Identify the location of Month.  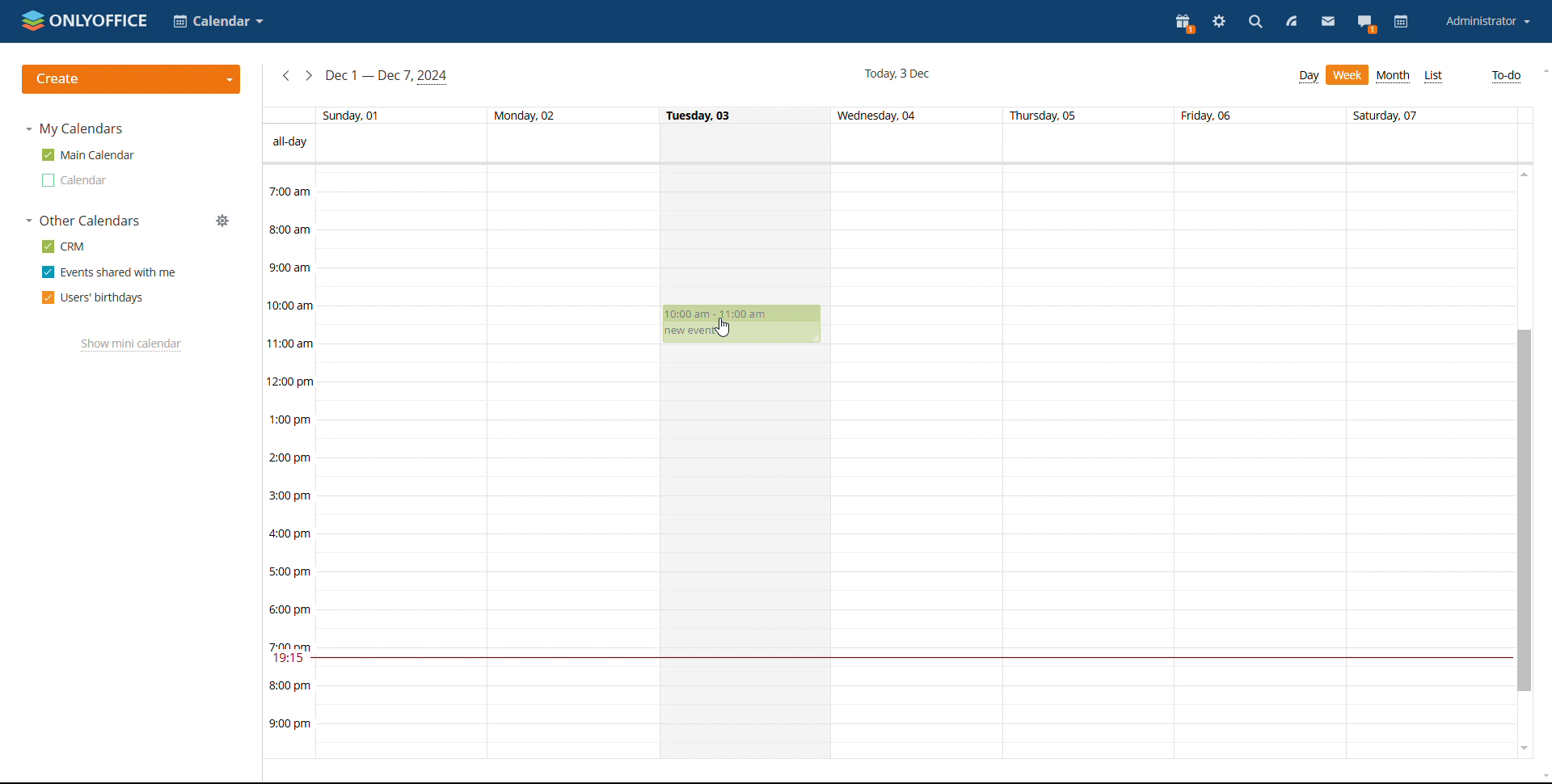
(1394, 76).